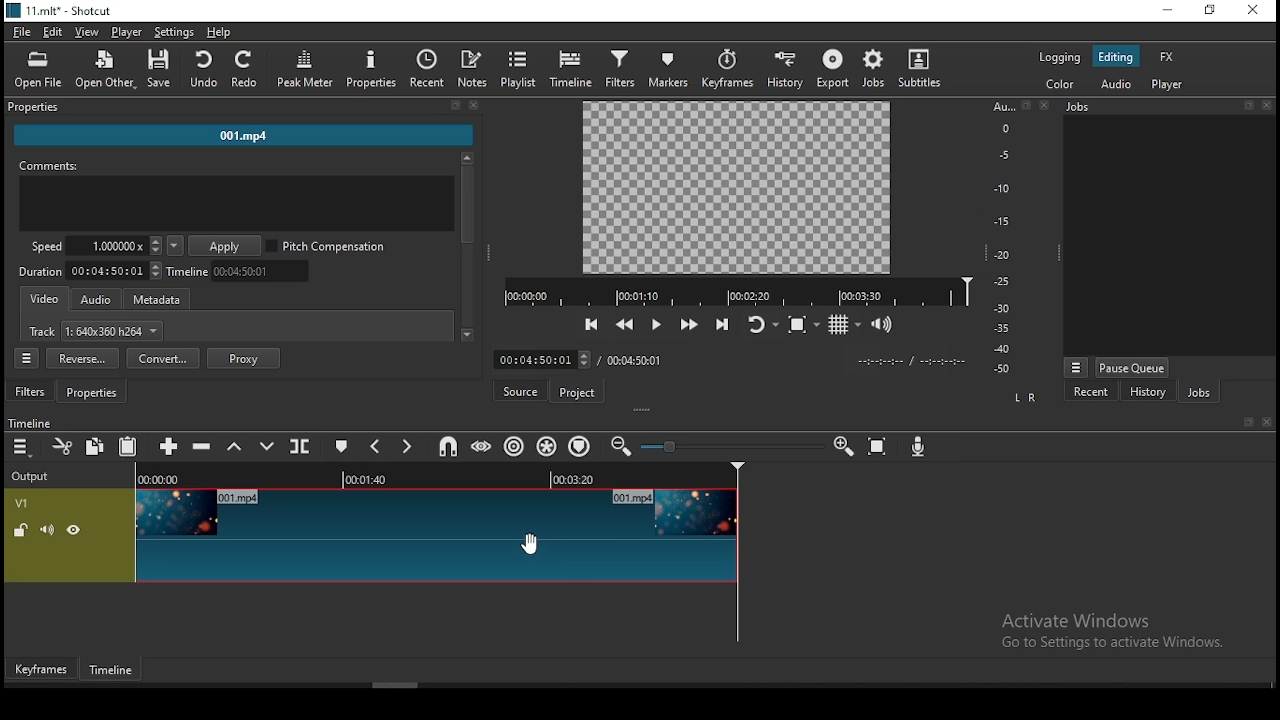 The width and height of the screenshot is (1280, 720). What do you see at coordinates (1166, 11) in the screenshot?
I see `minimize` at bounding box center [1166, 11].